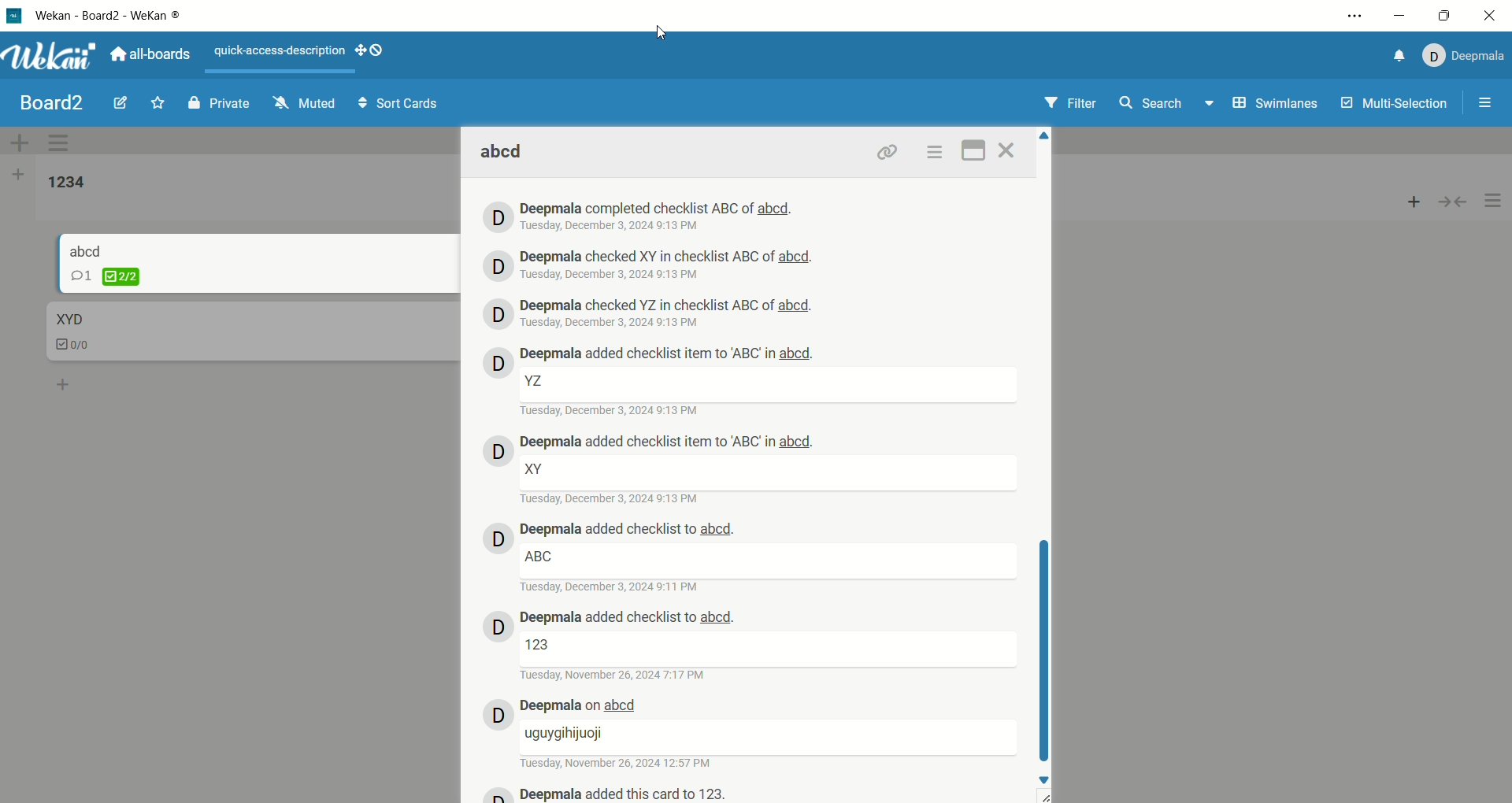 This screenshot has height=803, width=1512. What do you see at coordinates (666, 257) in the screenshot?
I see `deepmala history` at bounding box center [666, 257].